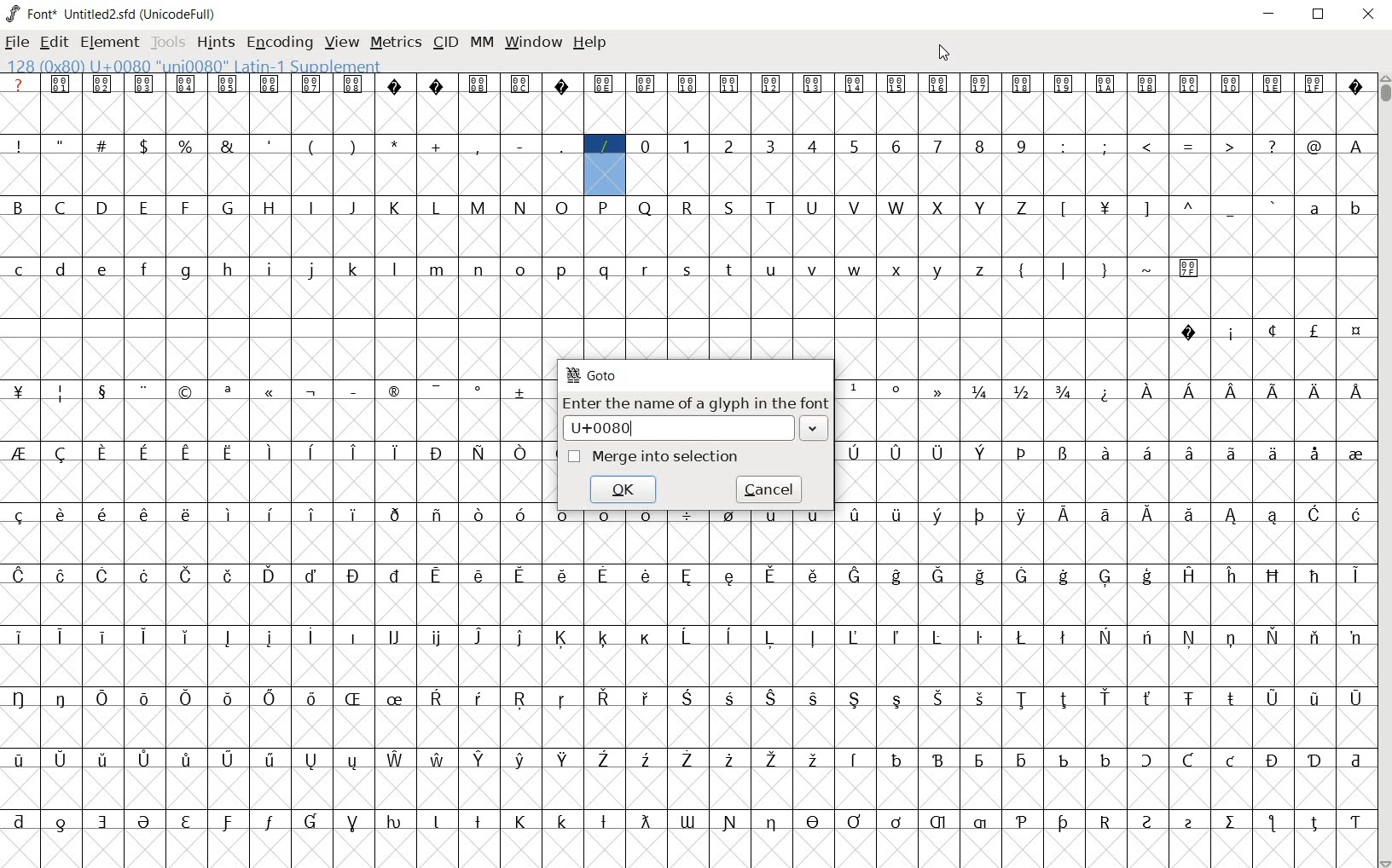 The height and width of the screenshot is (868, 1392). I want to click on glyph, so click(979, 84).